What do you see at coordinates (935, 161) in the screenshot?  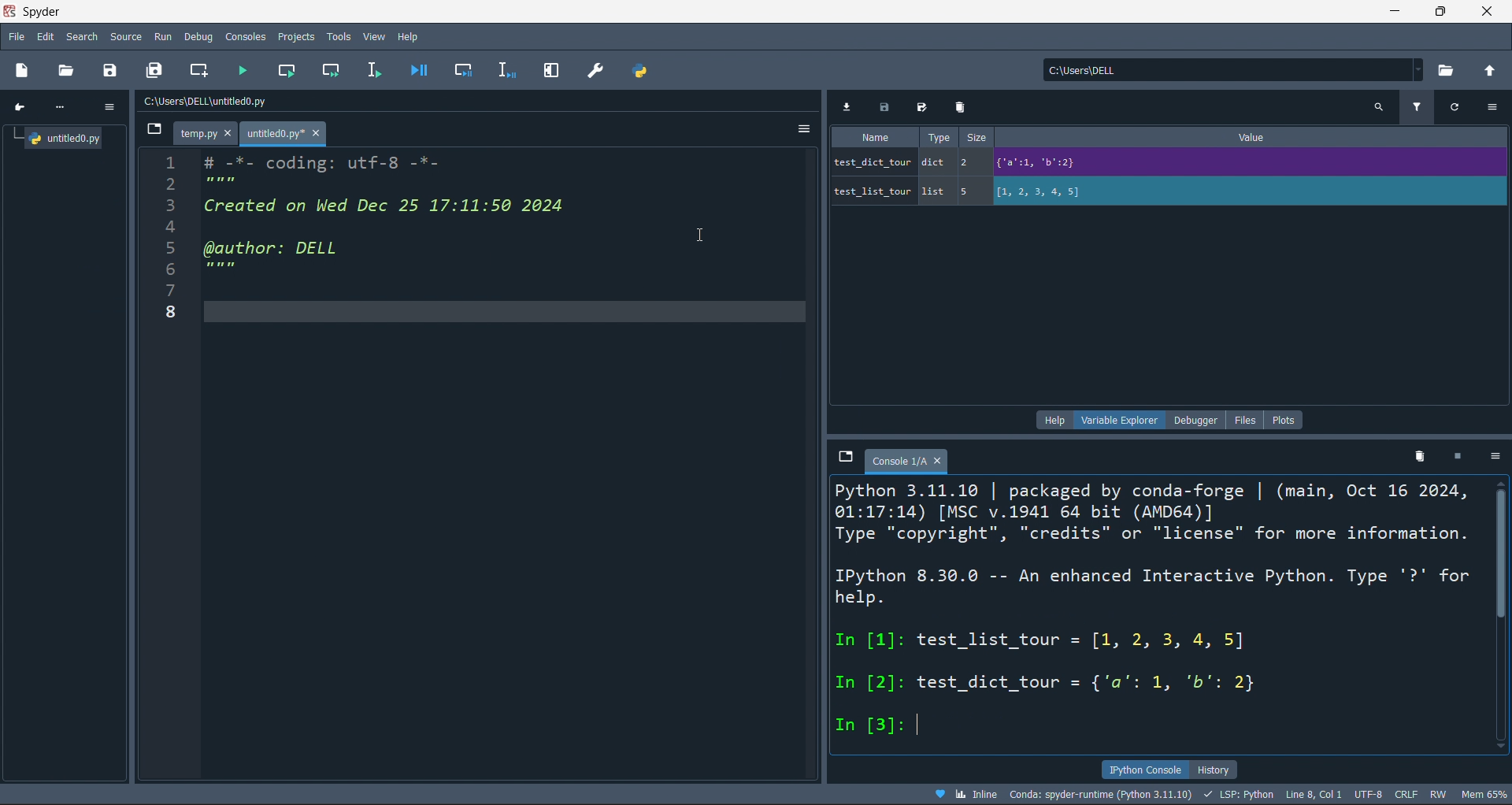 I see `dict` at bounding box center [935, 161].